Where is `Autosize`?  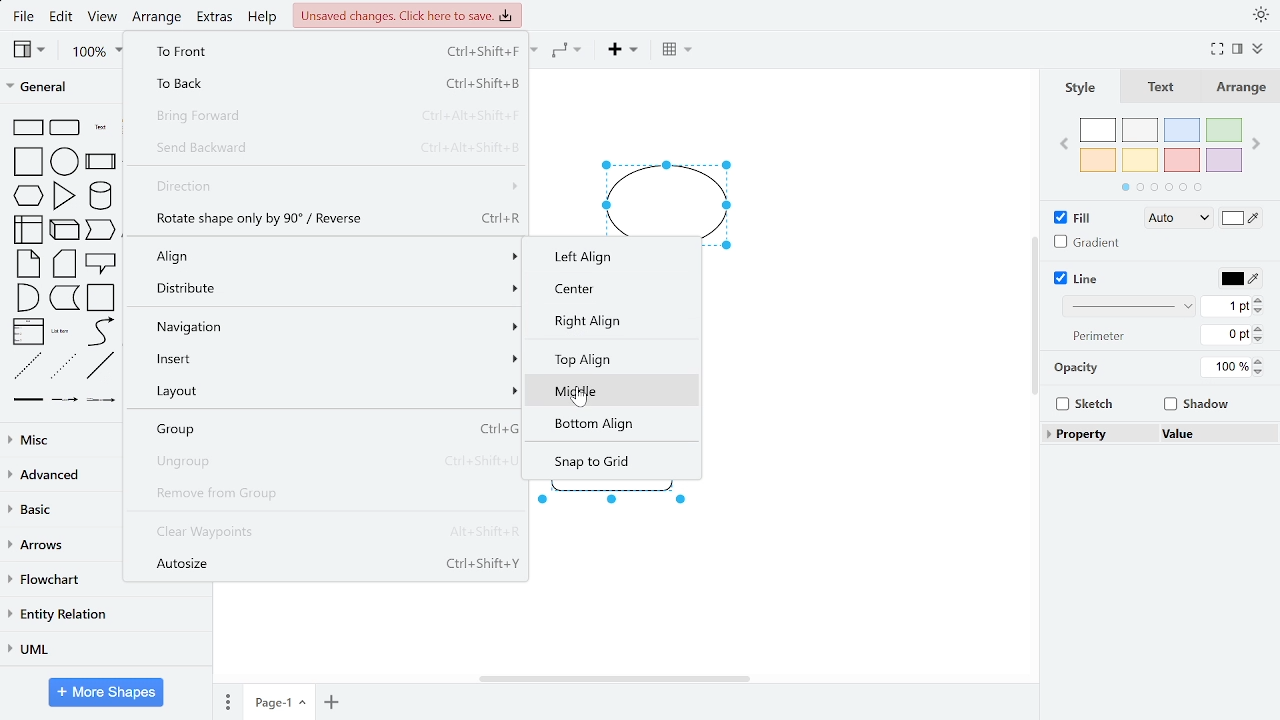 Autosize is located at coordinates (330, 563).